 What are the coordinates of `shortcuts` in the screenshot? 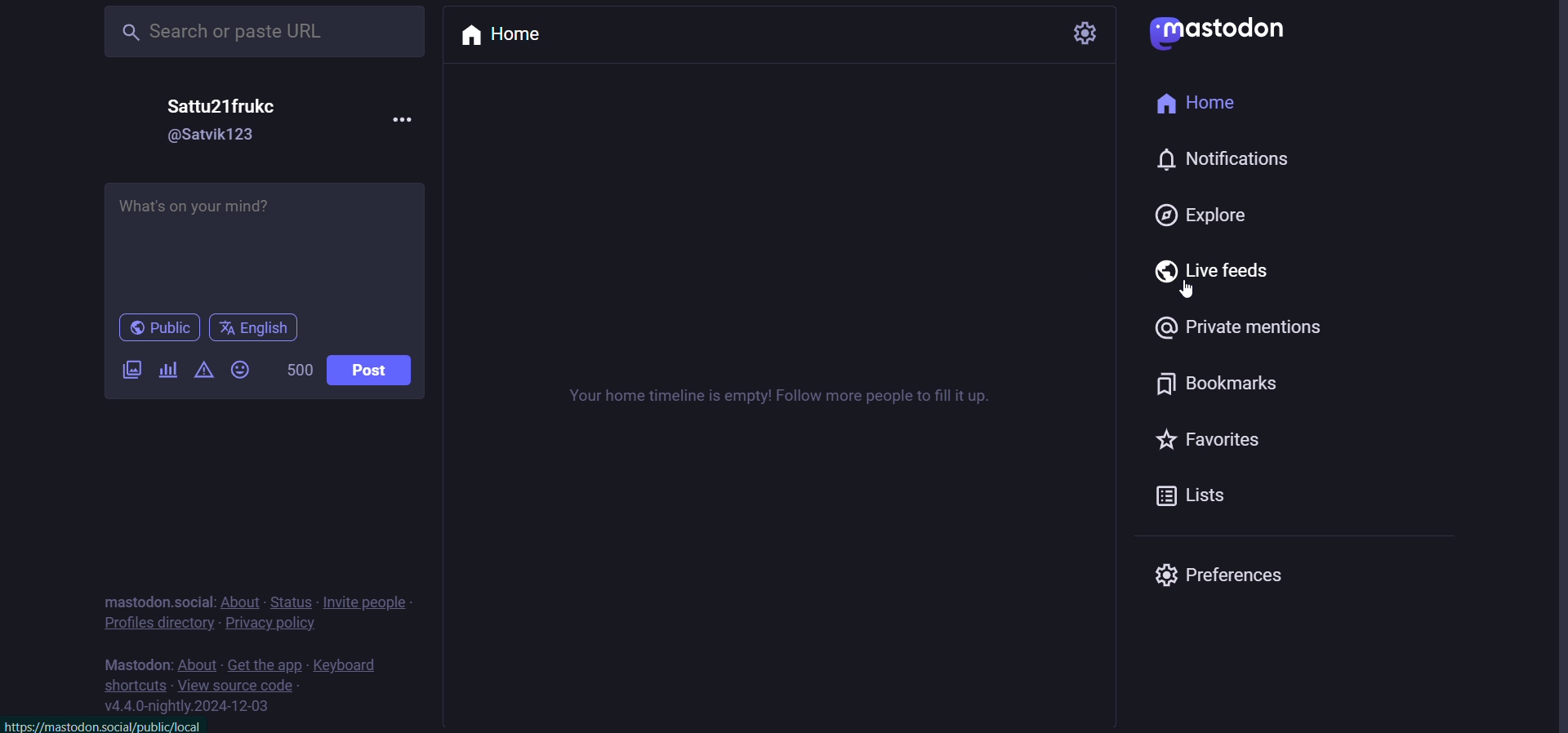 It's located at (134, 684).